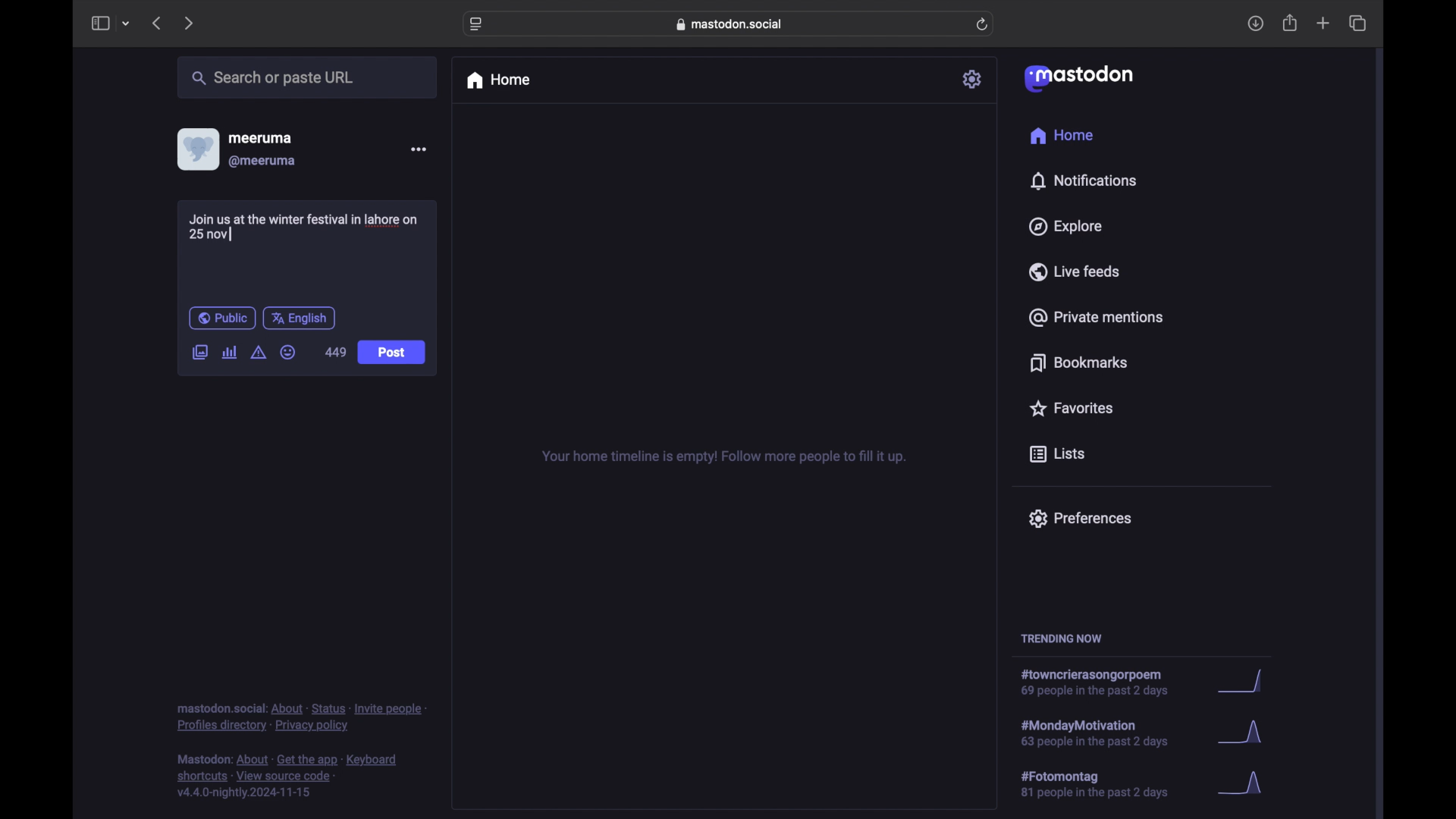 This screenshot has width=1456, height=819. What do you see at coordinates (1061, 639) in the screenshot?
I see `trending now` at bounding box center [1061, 639].